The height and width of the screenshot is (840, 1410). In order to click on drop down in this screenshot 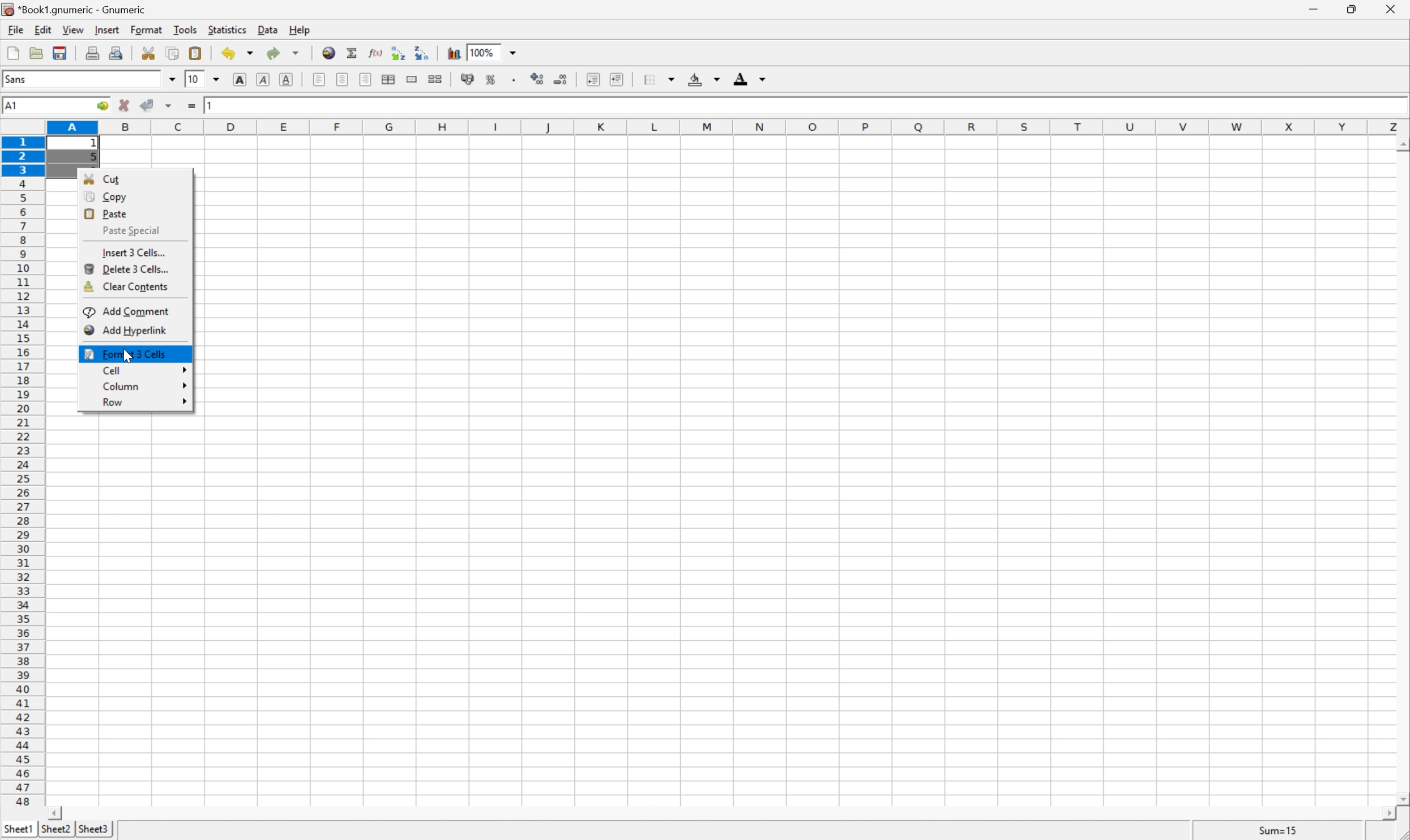, I will do `click(173, 79)`.